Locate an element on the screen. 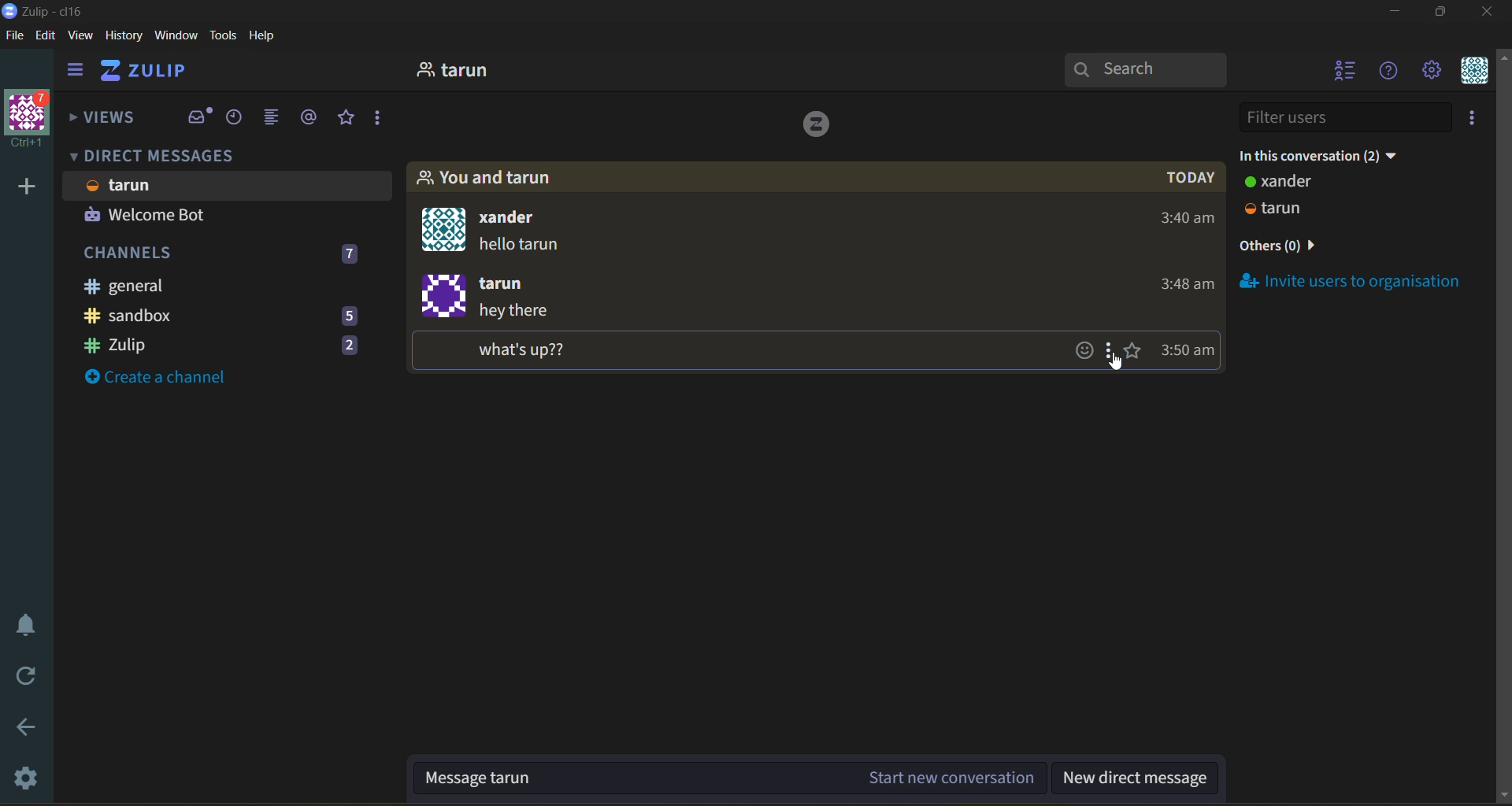 Image resolution: width=1512 pixels, height=806 pixels. minimize is located at coordinates (1398, 12).